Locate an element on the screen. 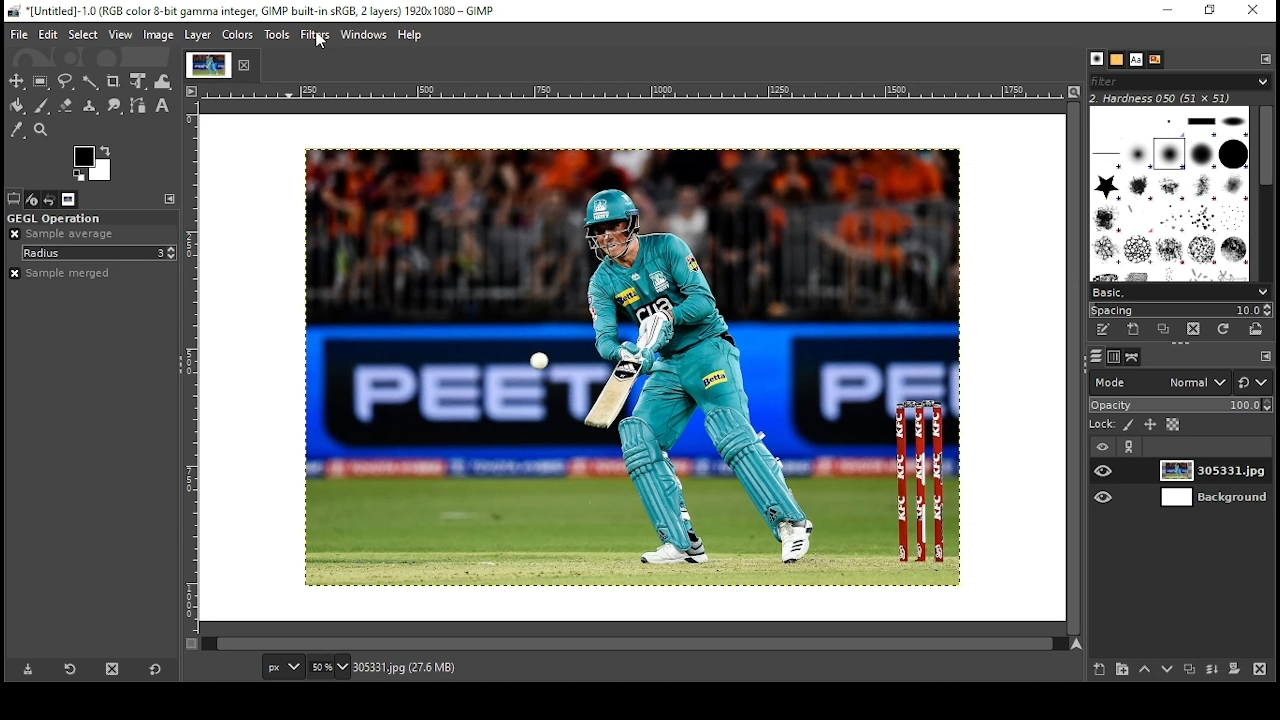 This screenshot has width=1280, height=720. lock is located at coordinates (1103, 424).